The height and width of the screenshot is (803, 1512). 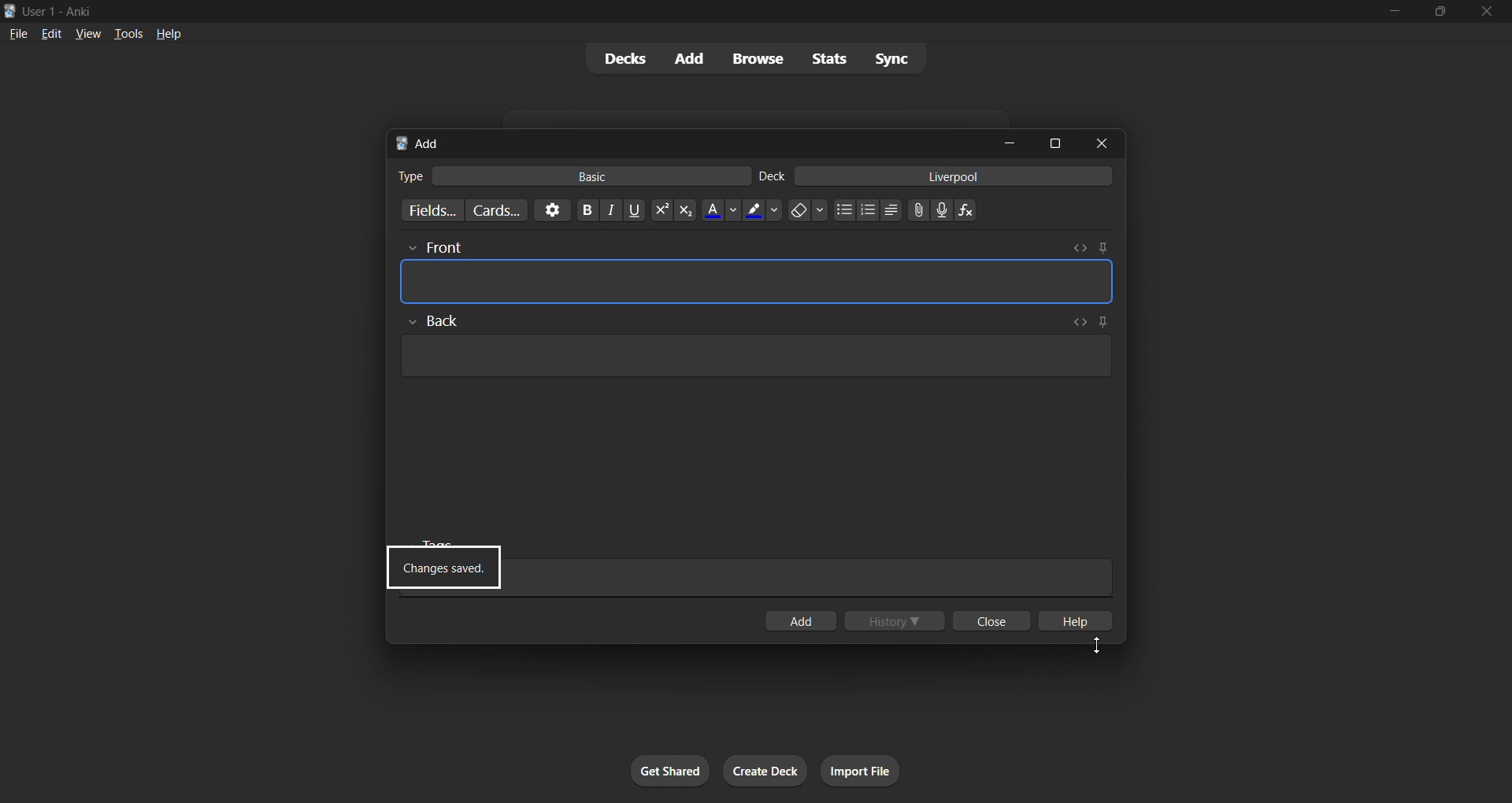 What do you see at coordinates (636, 210) in the screenshot?
I see `underline` at bounding box center [636, 210].